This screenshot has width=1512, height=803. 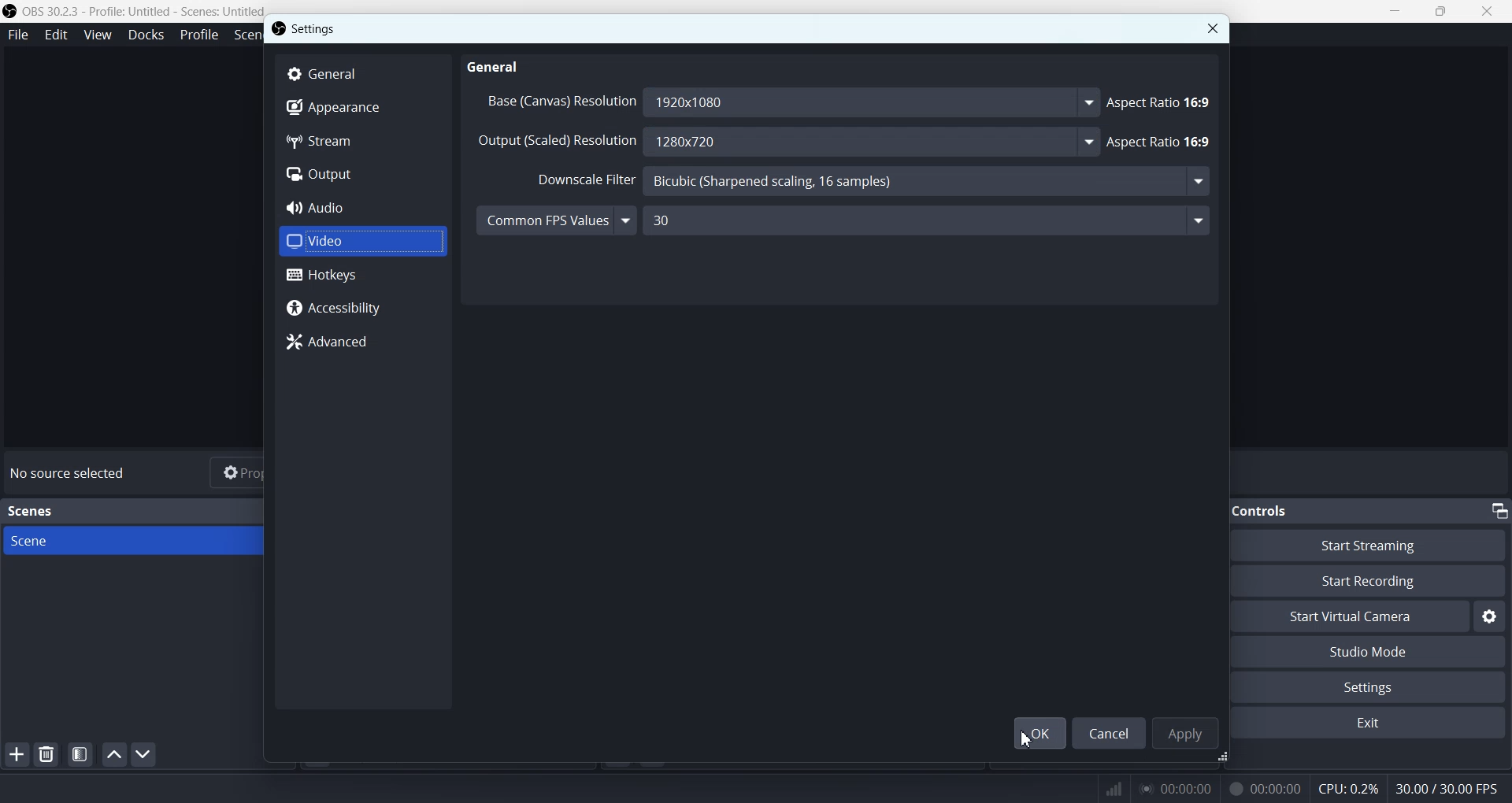 What do you see at coordinates (928, 220) in the screenshot?
I see `30 ` at bounding box center [928, 220].